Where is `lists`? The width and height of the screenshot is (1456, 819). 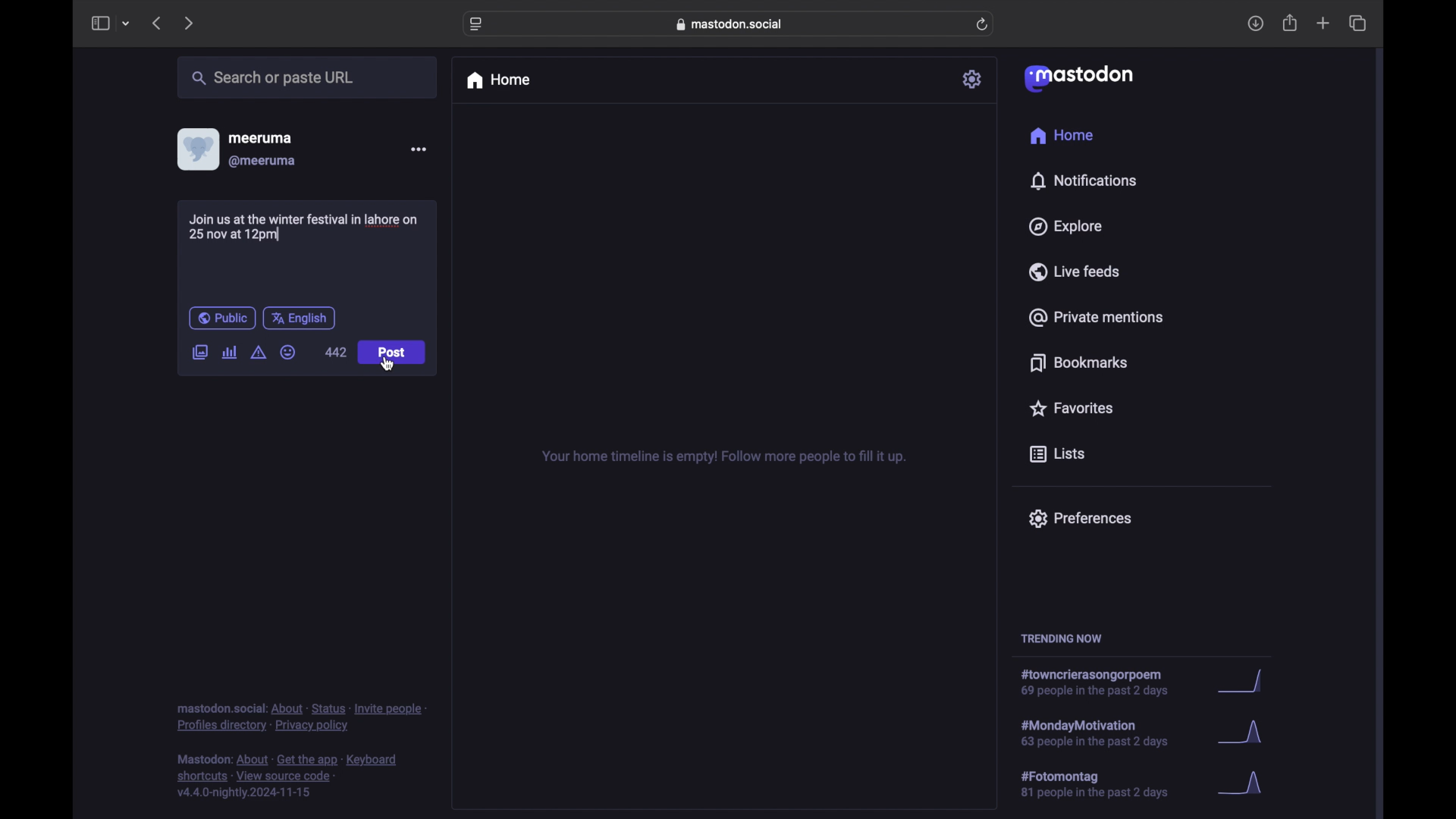
lists is located at coordinates (1057, 455).